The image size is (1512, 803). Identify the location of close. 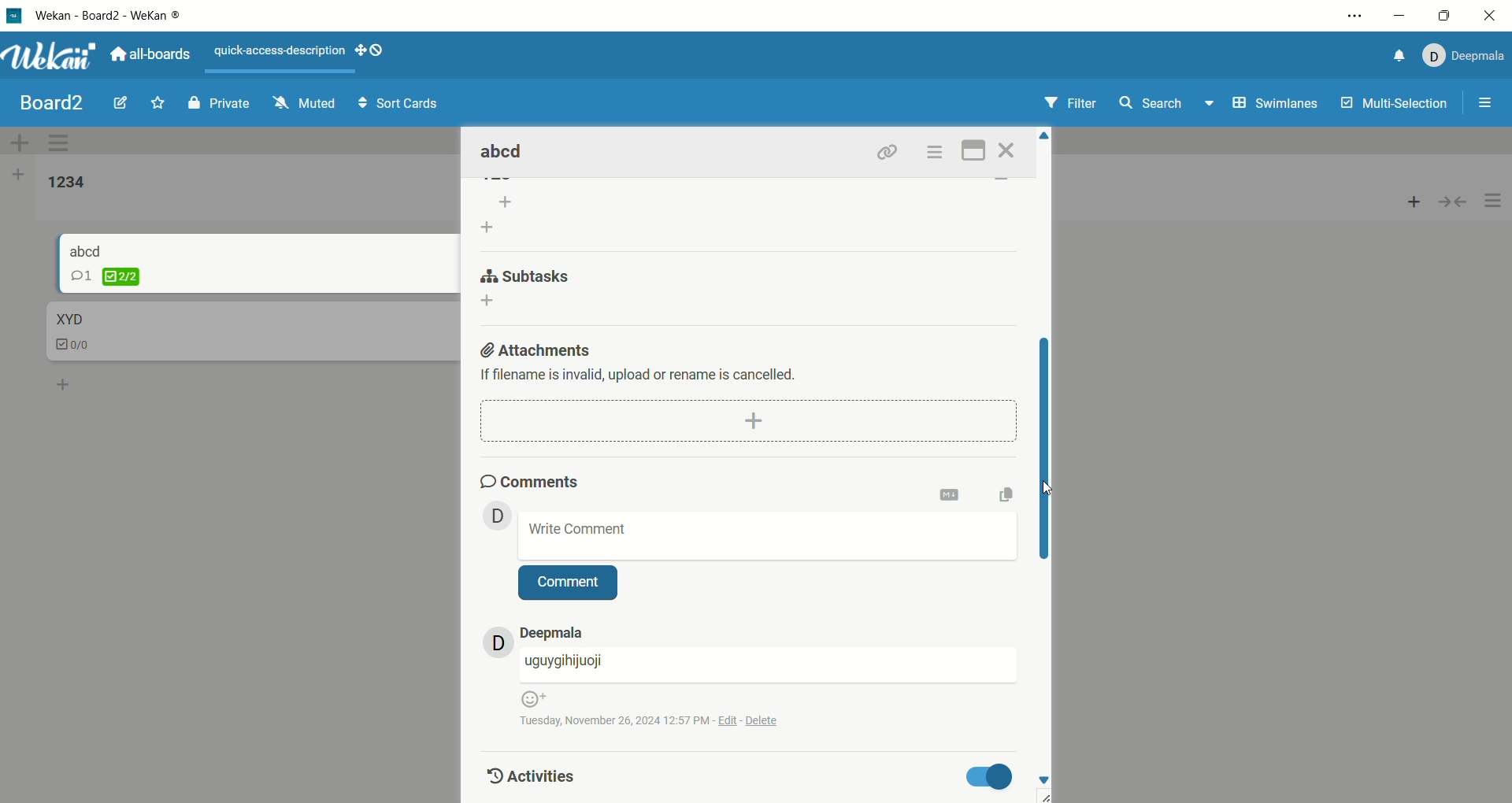
(1488, 18).